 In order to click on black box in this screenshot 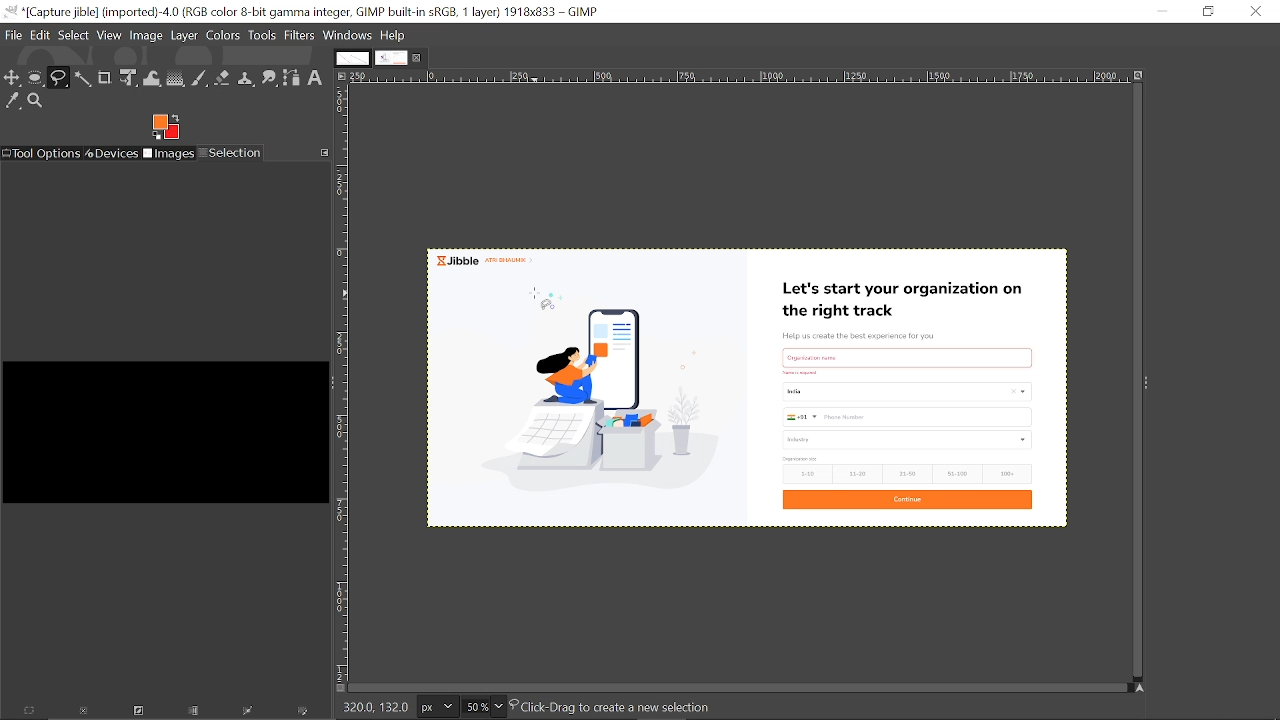, I will do `click(163, 424)`.